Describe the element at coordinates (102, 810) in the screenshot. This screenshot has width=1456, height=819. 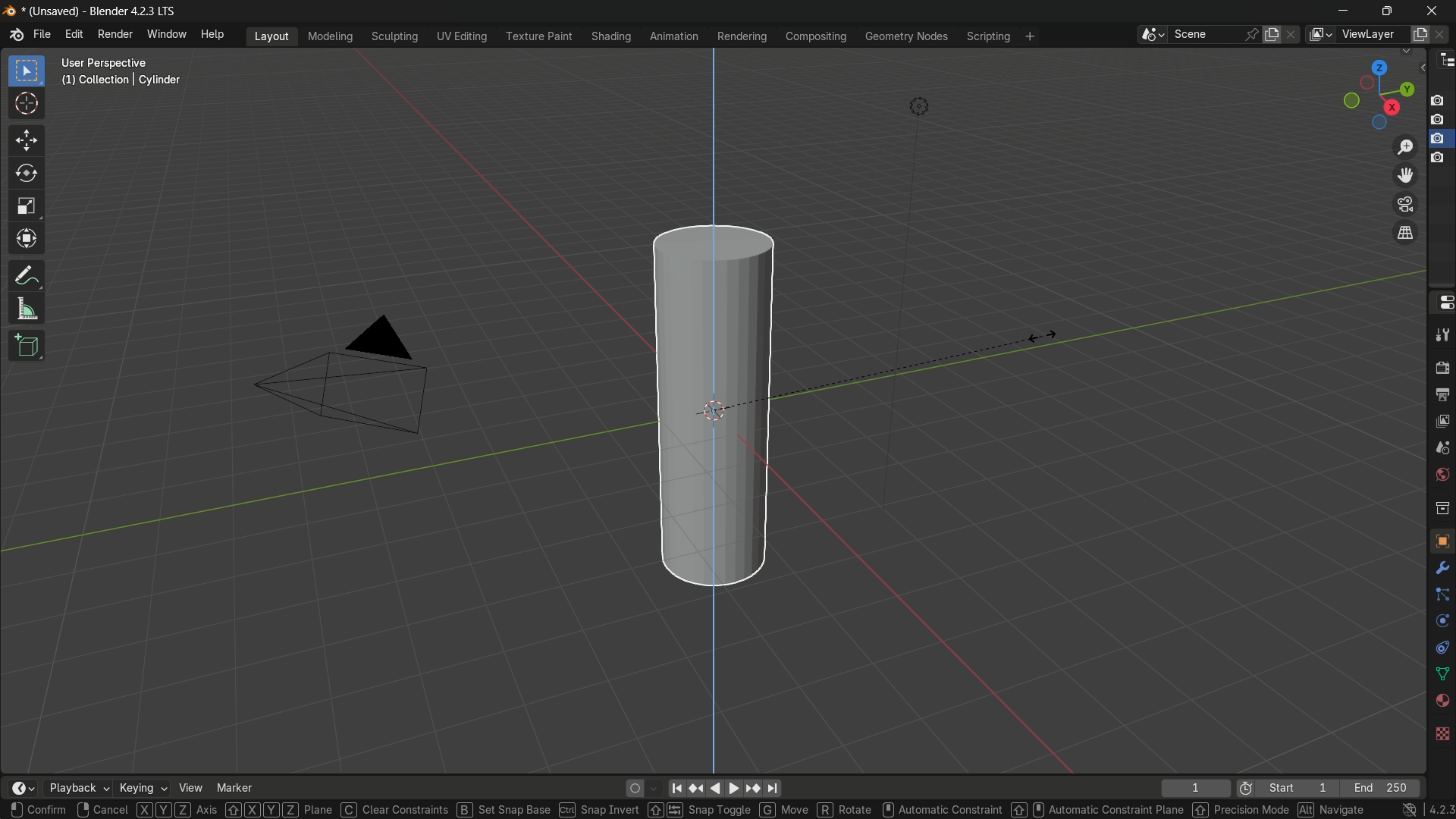
I see `right click to cancel` at that location.